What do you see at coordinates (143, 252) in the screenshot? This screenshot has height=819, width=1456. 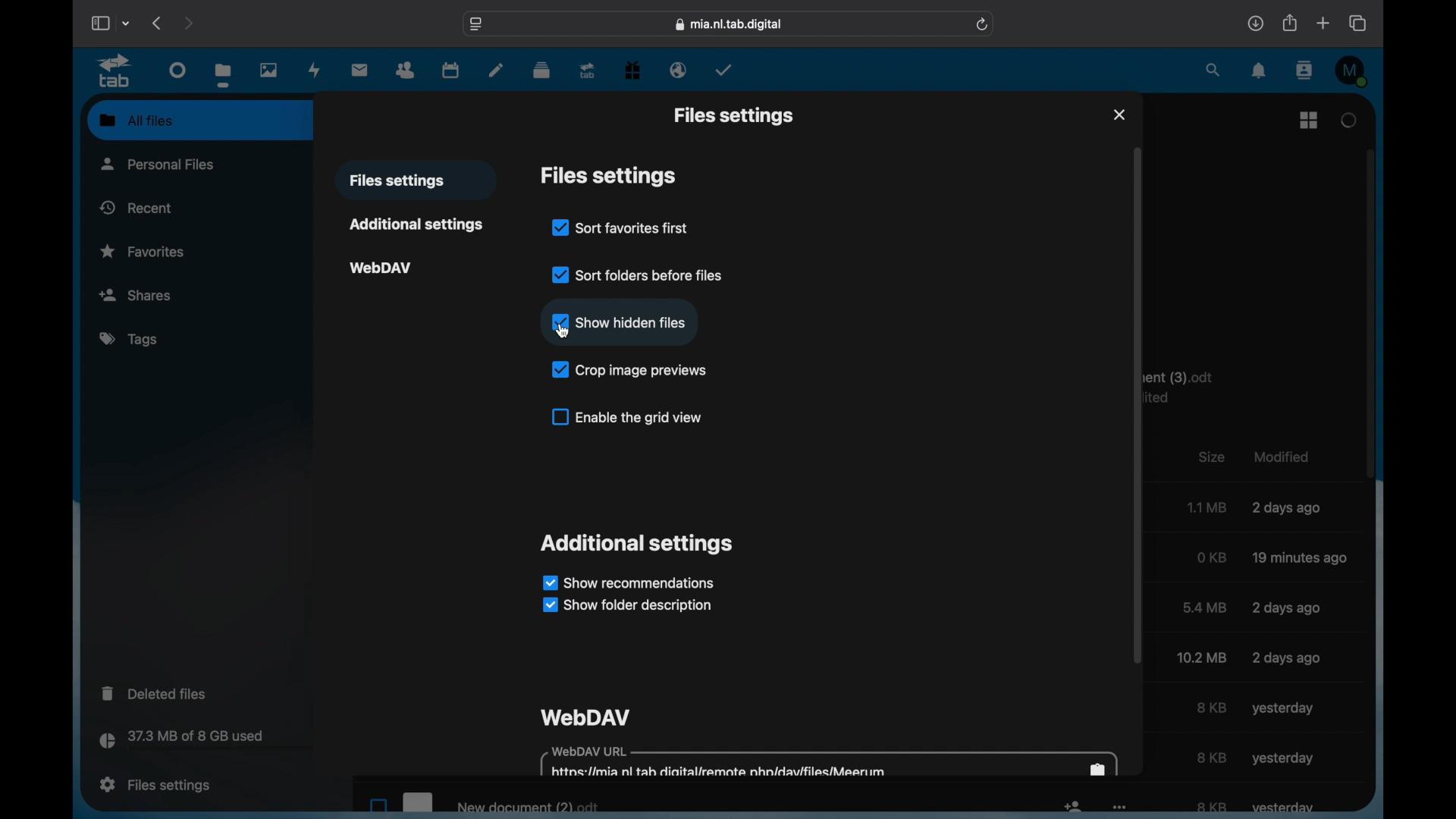 I see `favorites` at bounding box center [143, 252].